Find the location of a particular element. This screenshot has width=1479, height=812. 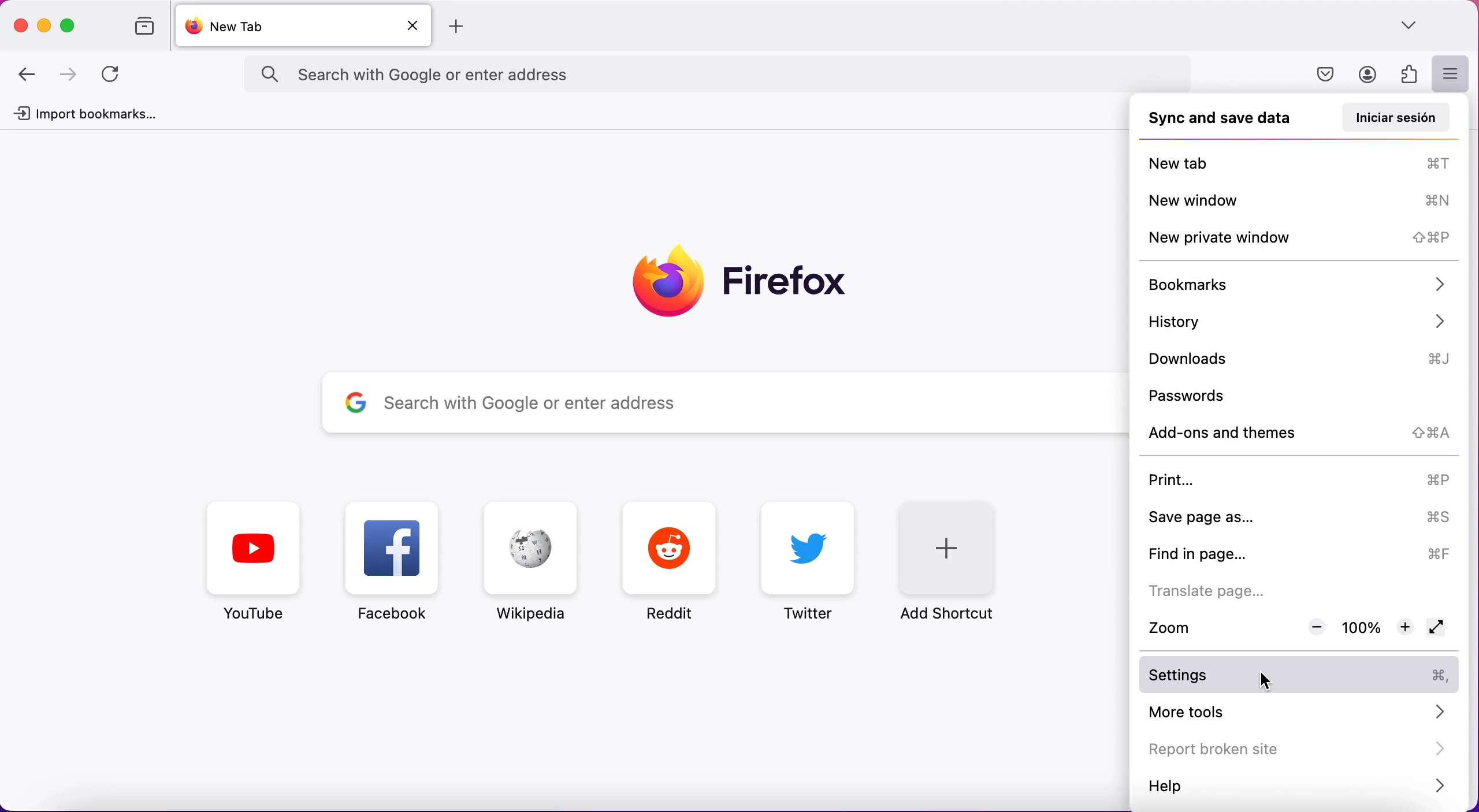

add shortcut is located at coordinates (960, 560).